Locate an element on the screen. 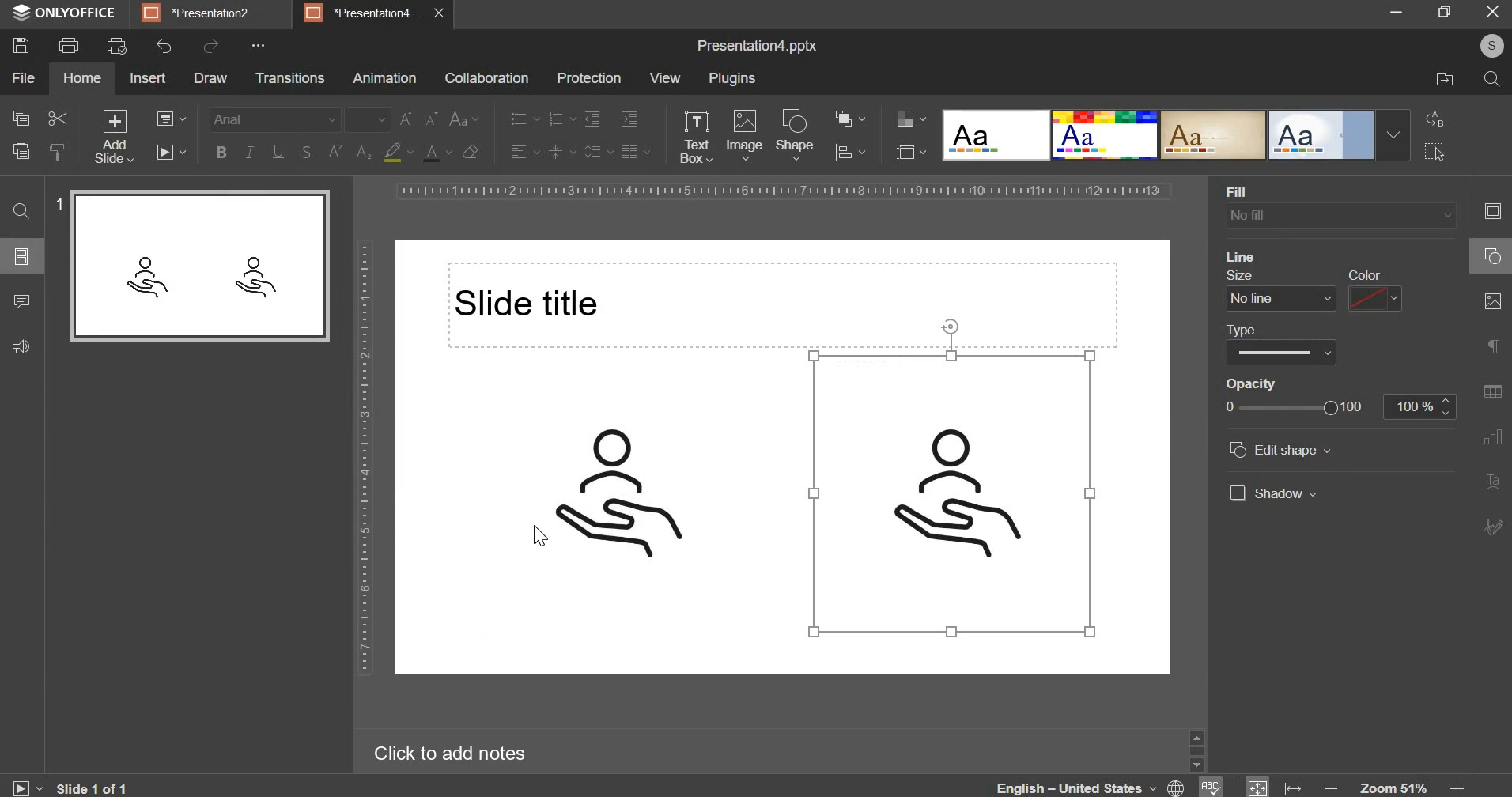 The width and height of the screenshot is (1512, 797). line spacing is located at coordinates (592, 151).